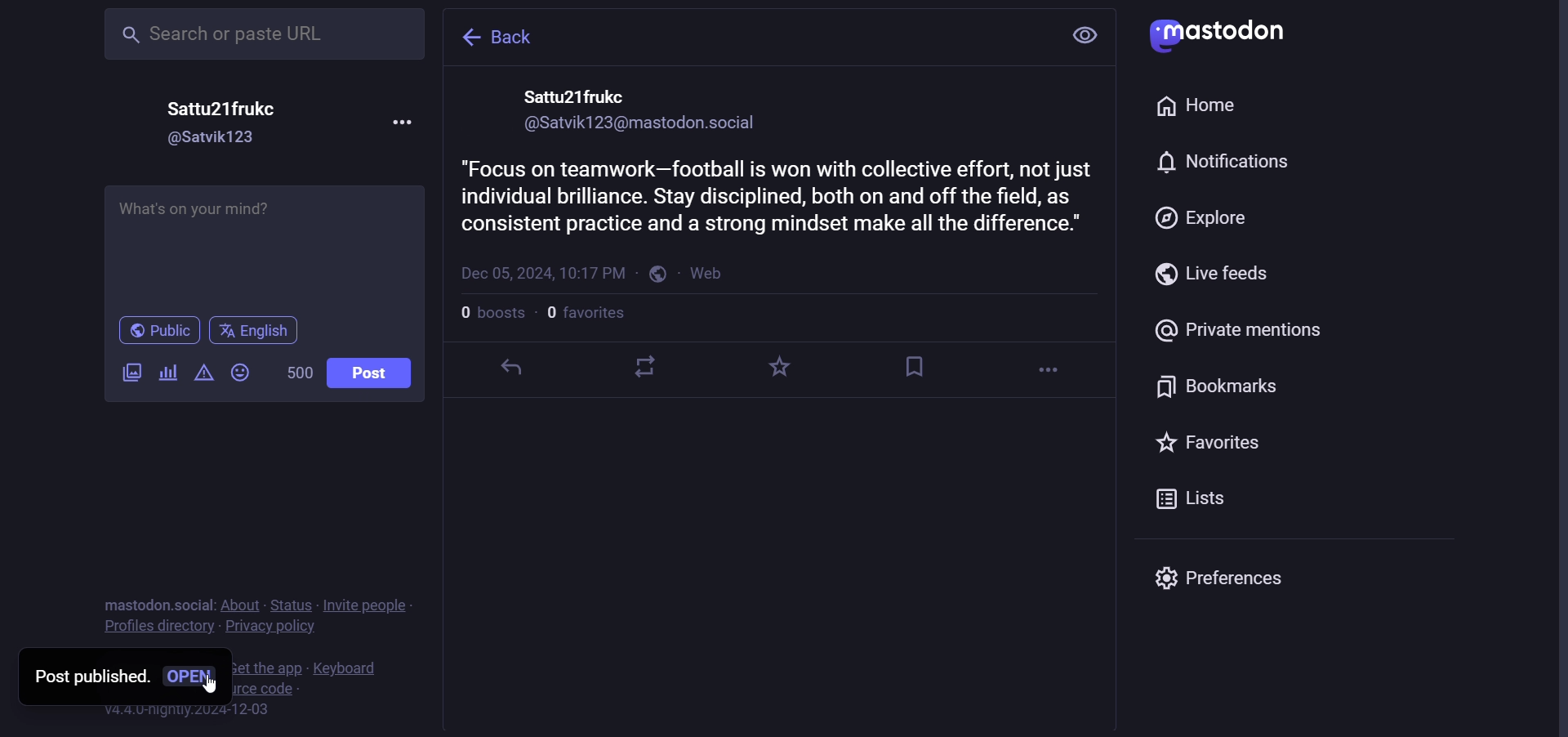  What do you see at coordinates (262, 35) in the screenshot?
I see `search` at bounding box center [262, 35].